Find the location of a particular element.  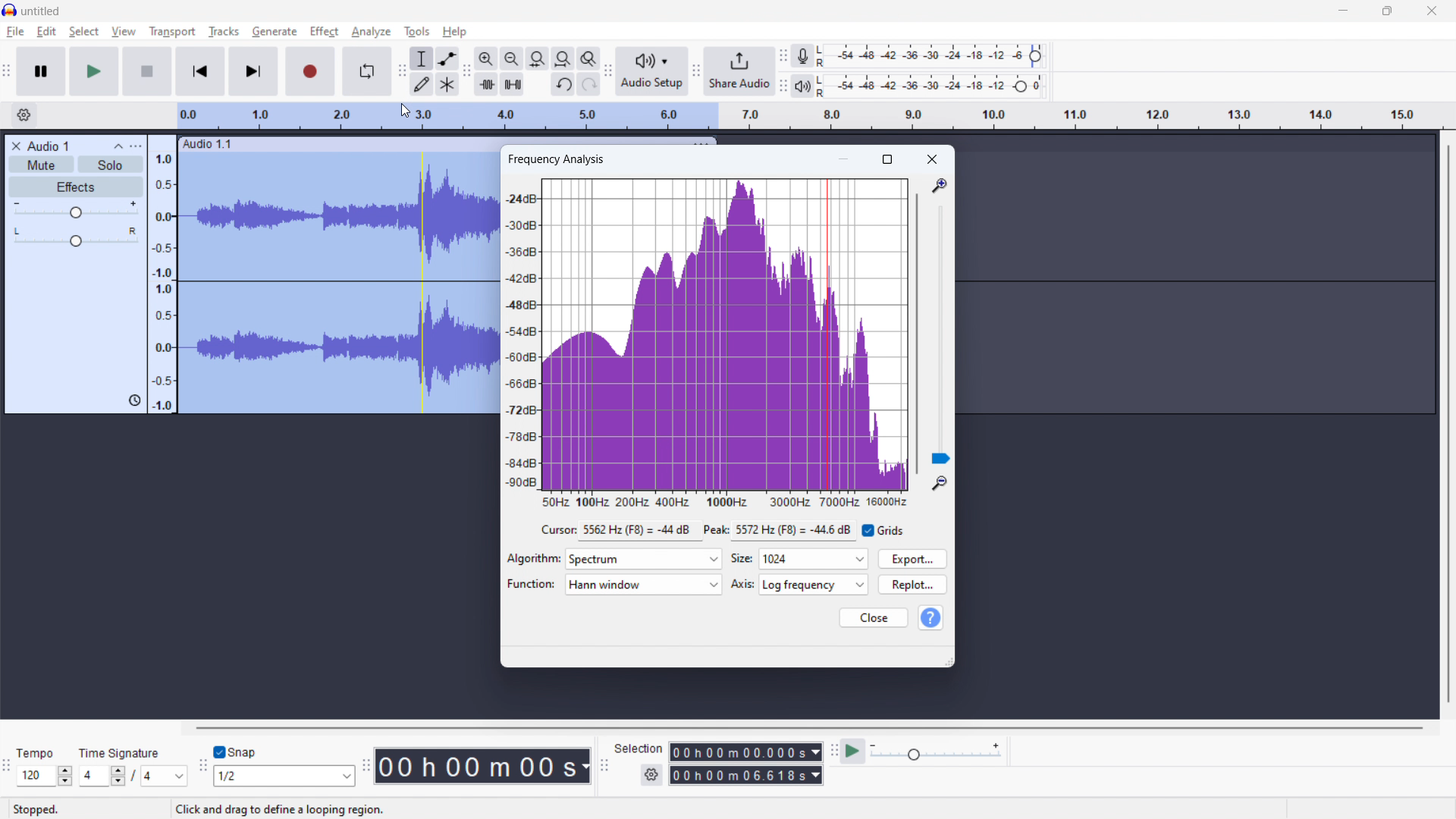

Cursor is located at coordinates (366, 35).